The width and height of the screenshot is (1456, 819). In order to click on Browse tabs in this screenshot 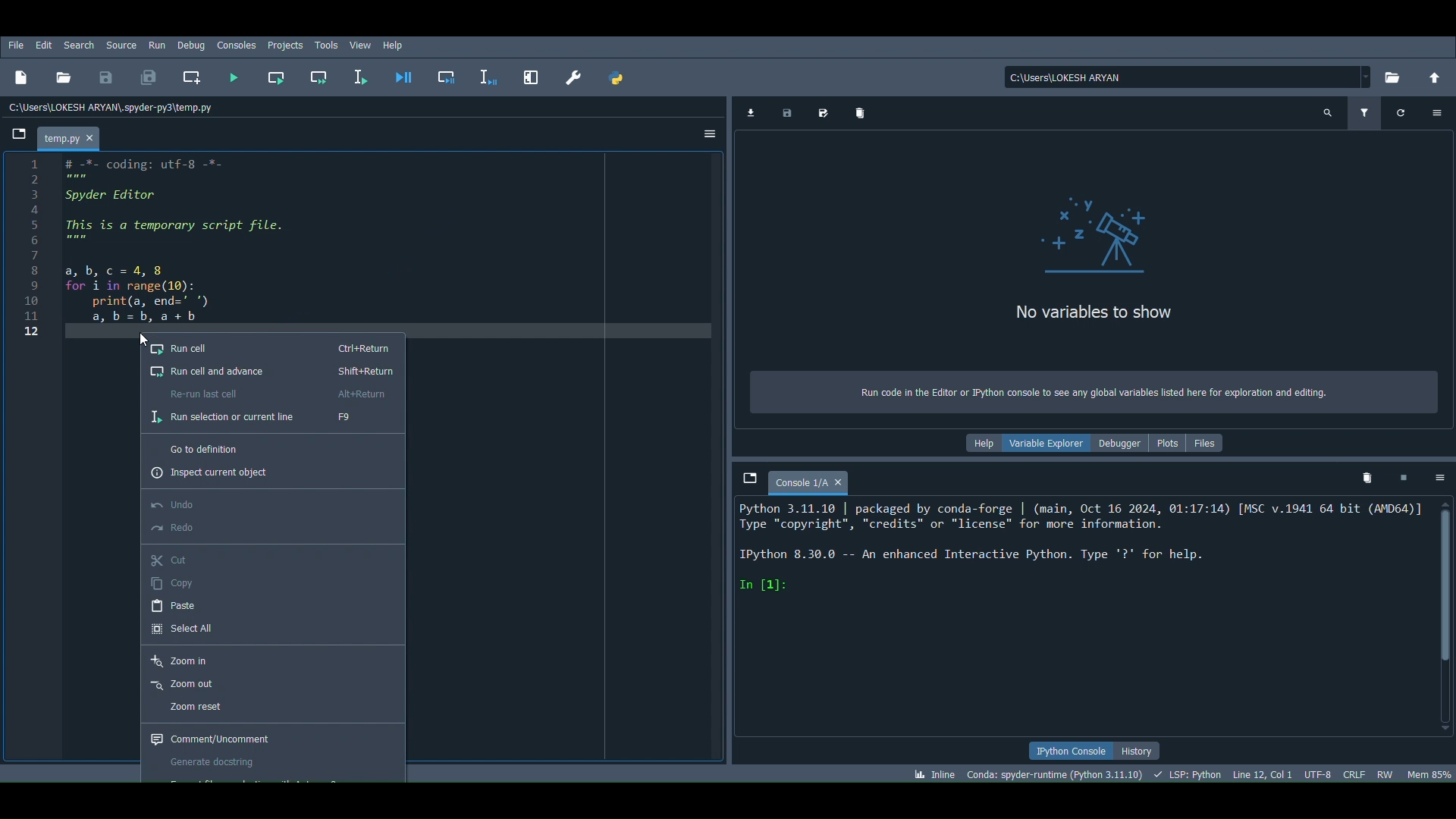, I will do `click(752, 477)`.